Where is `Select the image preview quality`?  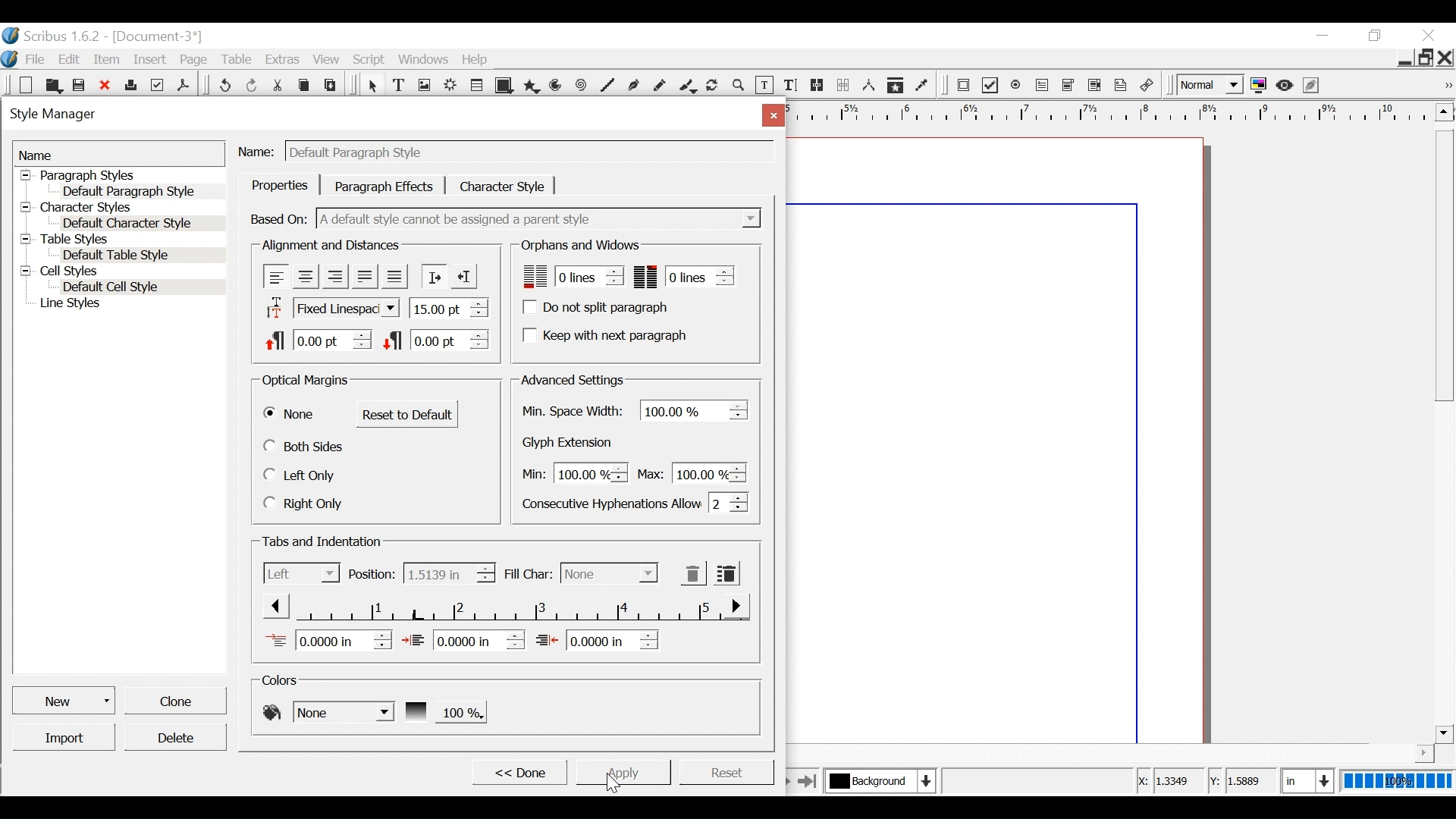
Select the image preview quality is located at coordinates (1212, 85).